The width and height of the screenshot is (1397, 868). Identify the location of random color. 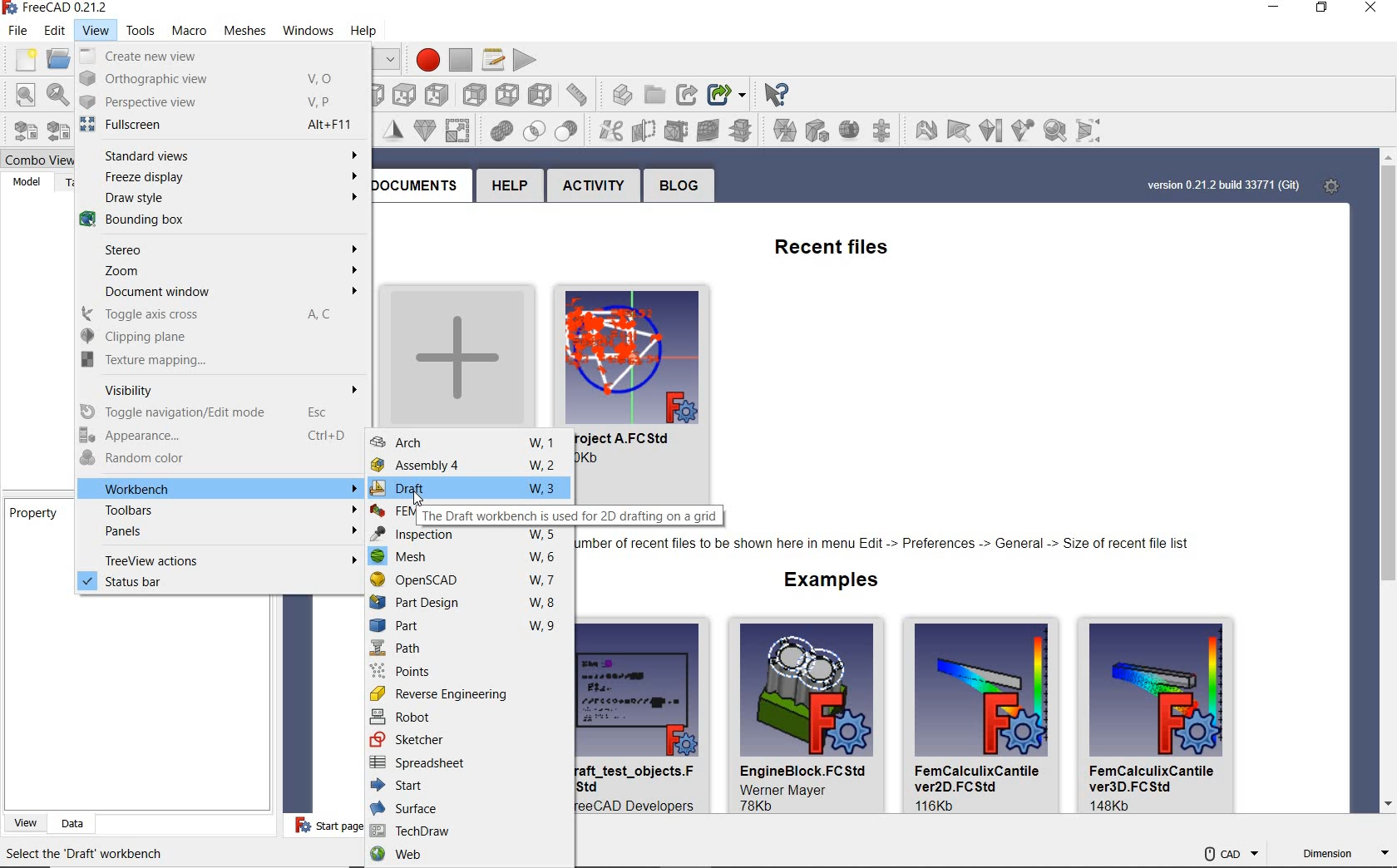
(216, 460).